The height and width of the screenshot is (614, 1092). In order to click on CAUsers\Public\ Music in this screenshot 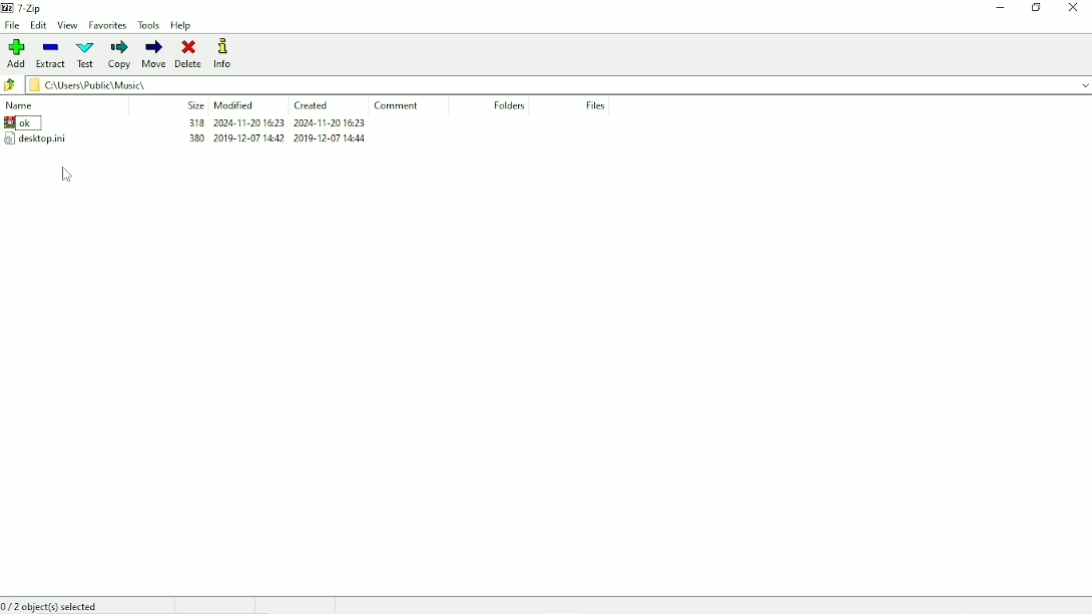, I will do `click(121, 85)`.